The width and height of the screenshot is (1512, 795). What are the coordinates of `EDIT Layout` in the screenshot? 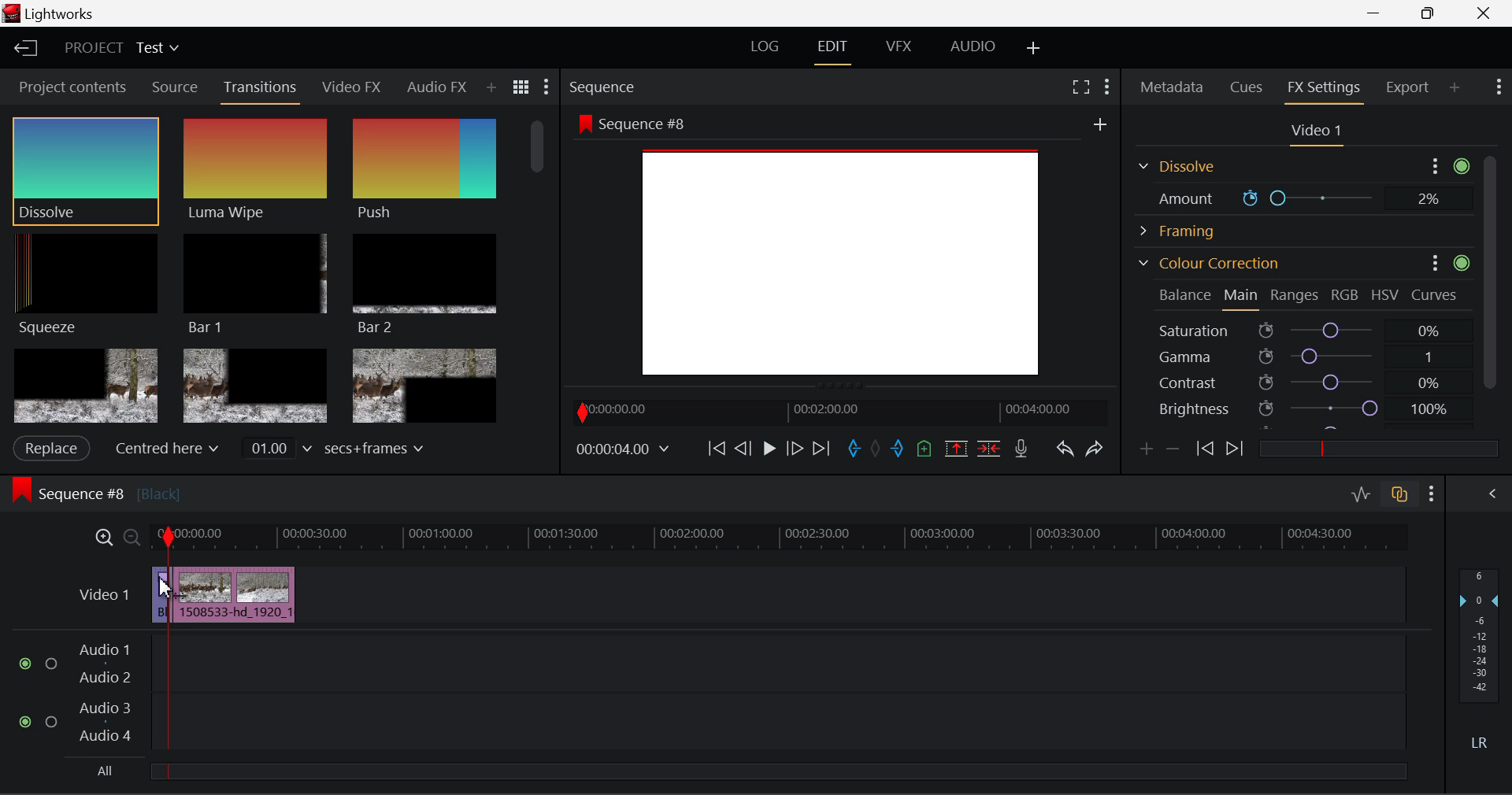 It's located at (835, 50).